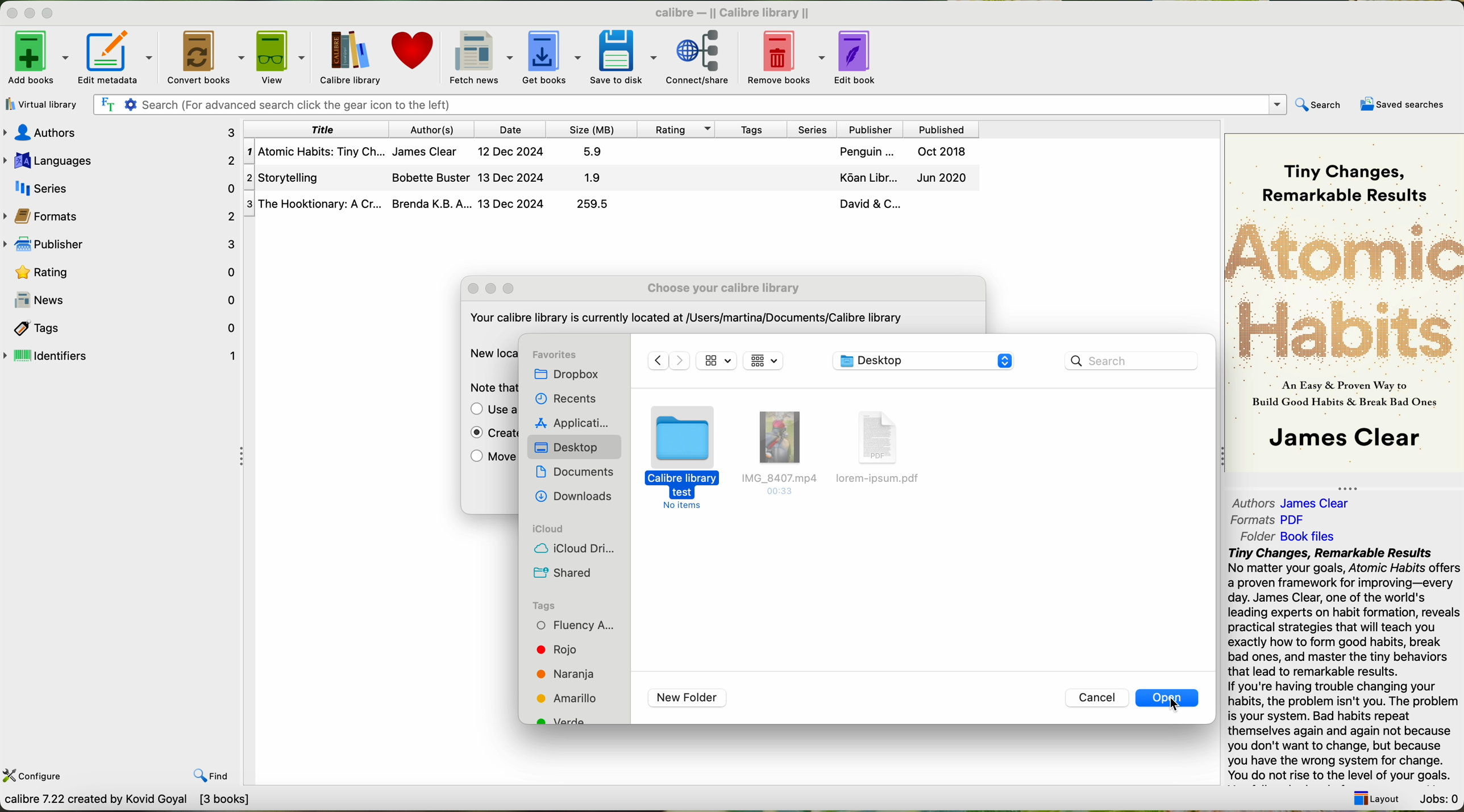 This screenshot has height=812, width=1464. Describe the element at coordinates (673, 128) in the screenshot. I see `rating` at that location.